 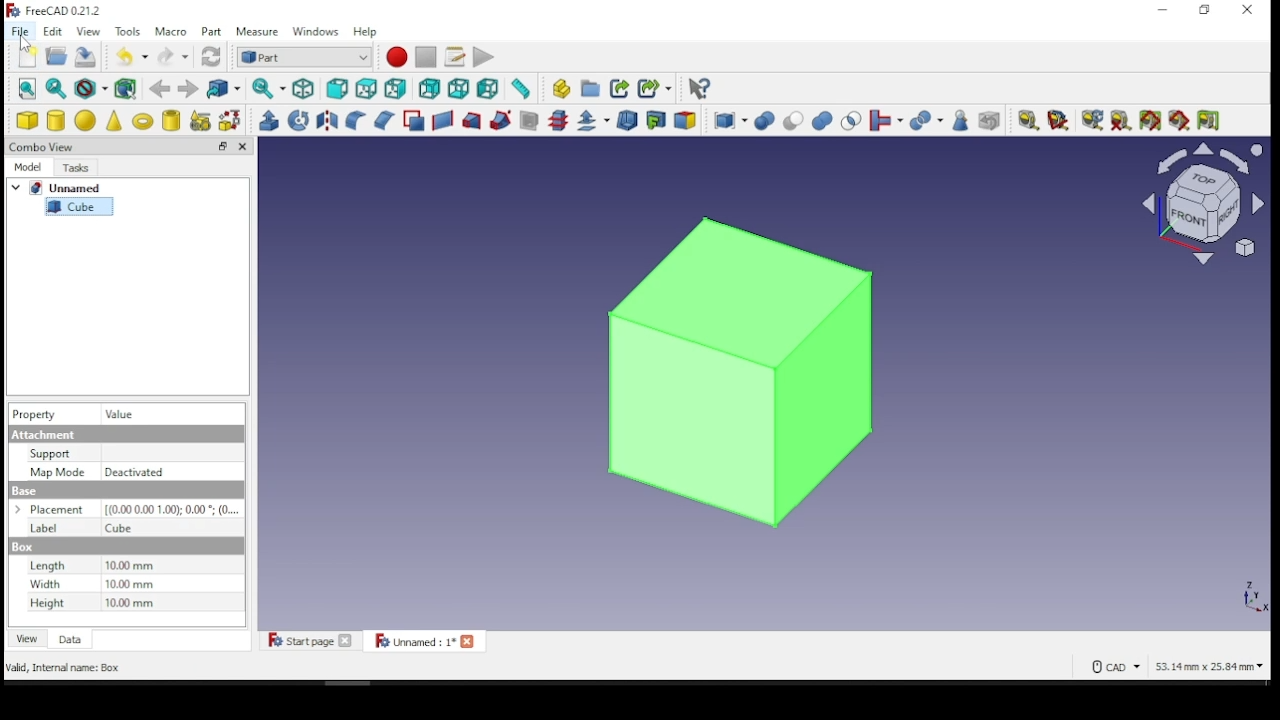 What do you see at coordinates (1181, 121) in the screenshot?
I see `toggle 3D` at bounding box center [1181, 121].